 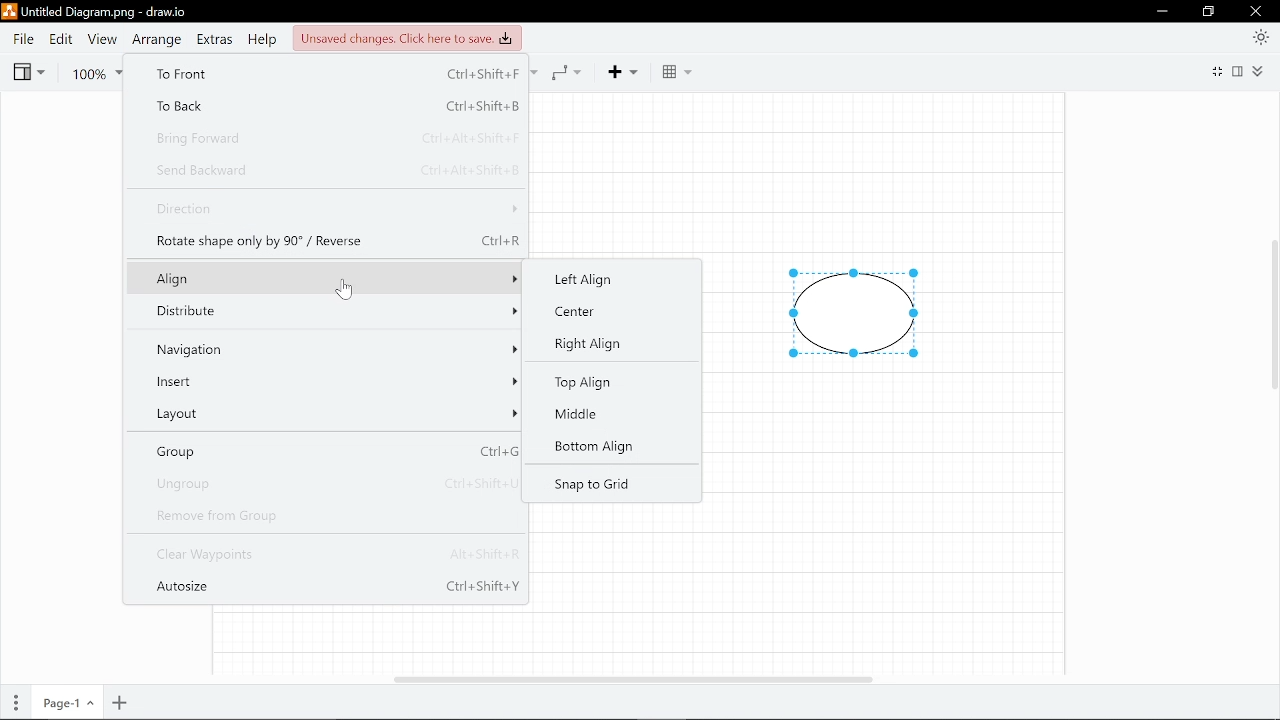 What do you see at coordinates (337, 590) in the screenshot?
I see `Autosize` at bounding box center [337, 590].